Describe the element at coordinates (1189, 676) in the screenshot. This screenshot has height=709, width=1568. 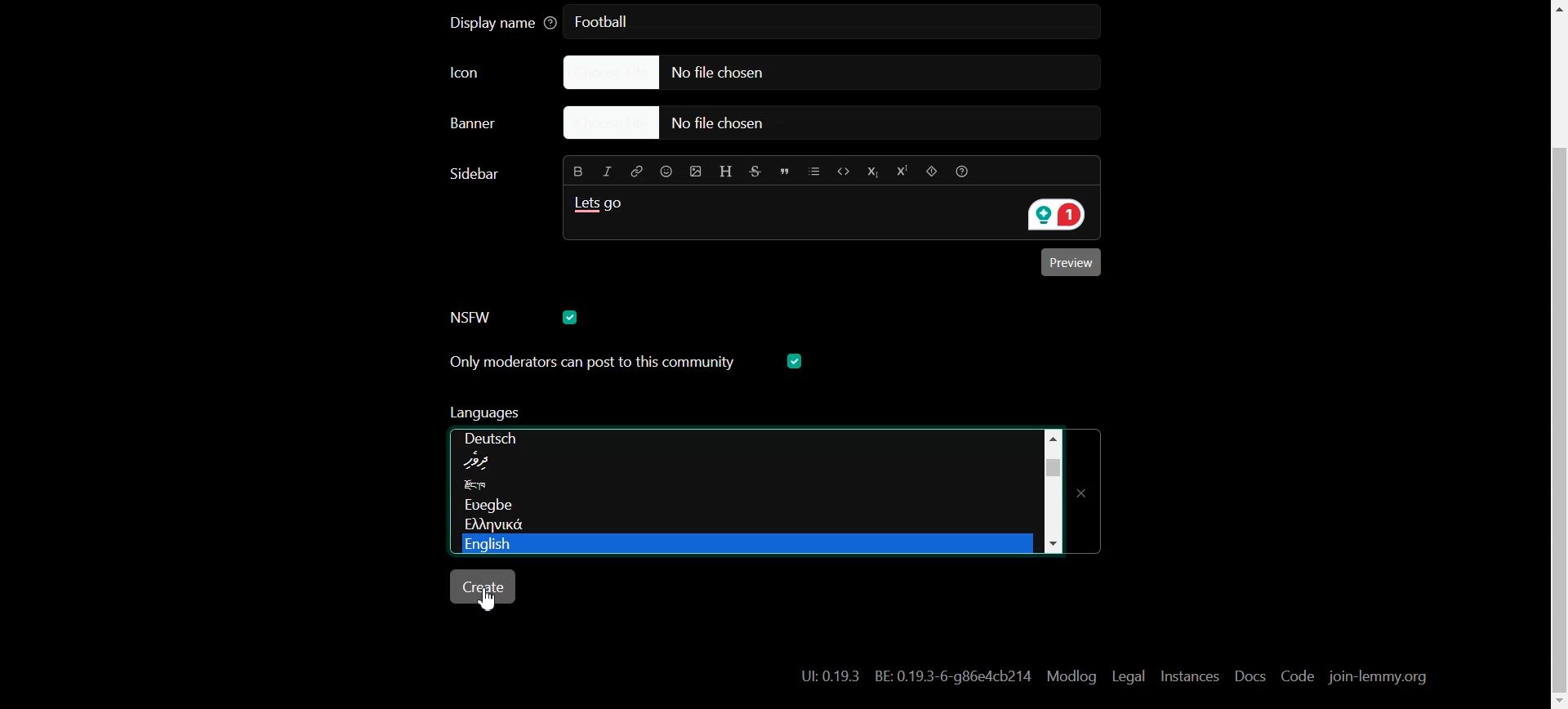
I see `Instance` at that location.